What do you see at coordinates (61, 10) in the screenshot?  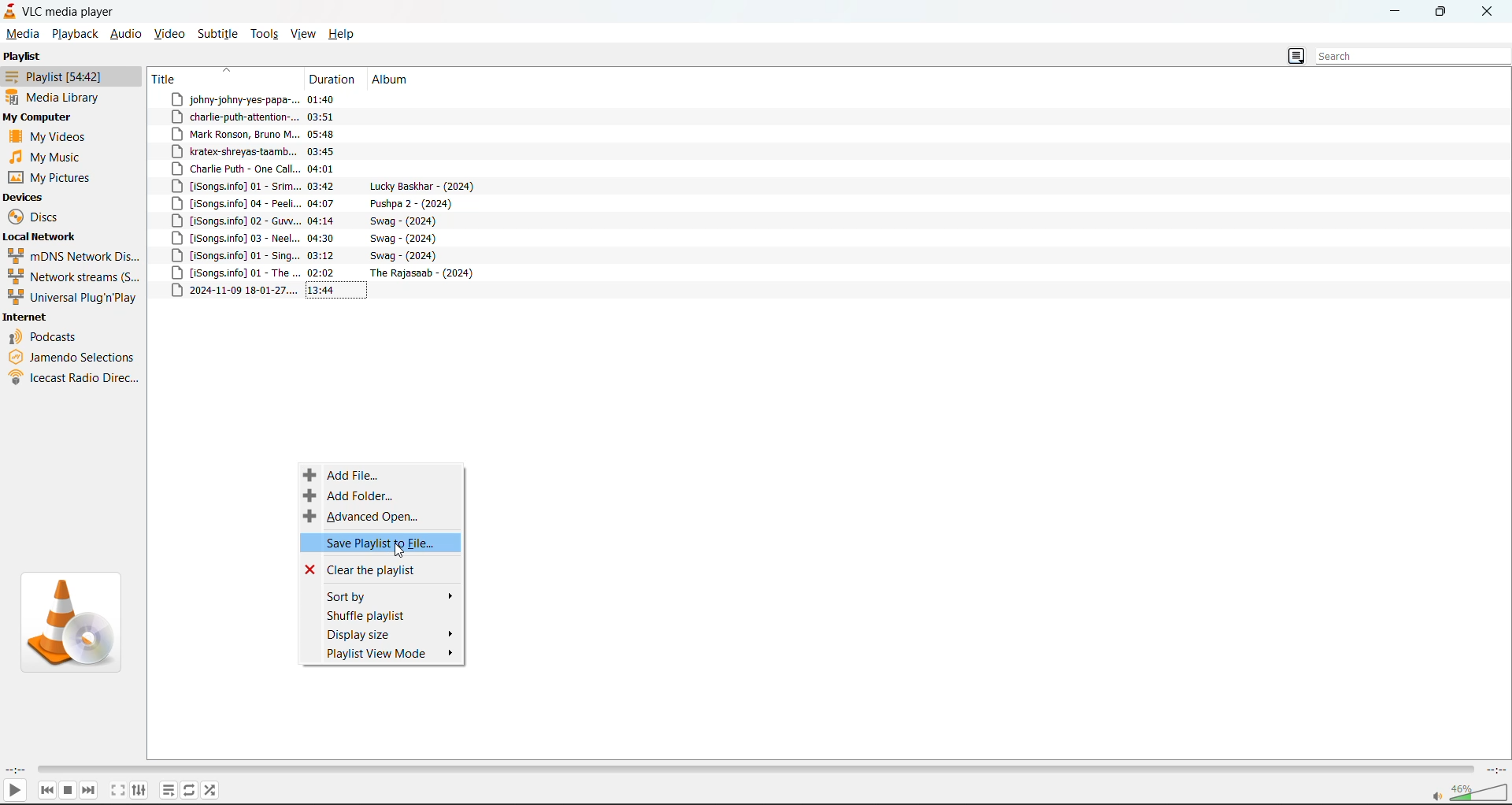 I see `track and app name` at bounding box center [61, 10].